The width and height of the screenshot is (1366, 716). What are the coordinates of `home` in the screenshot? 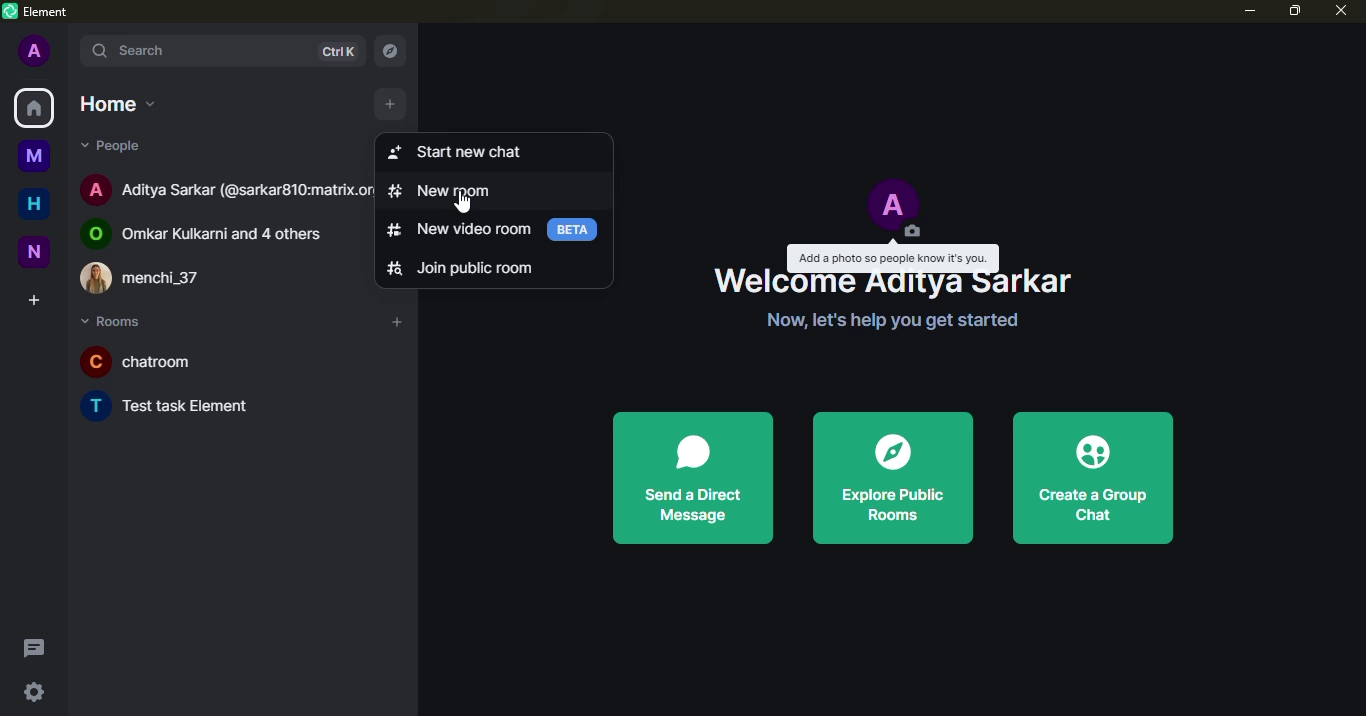 It's located at (35, 204).